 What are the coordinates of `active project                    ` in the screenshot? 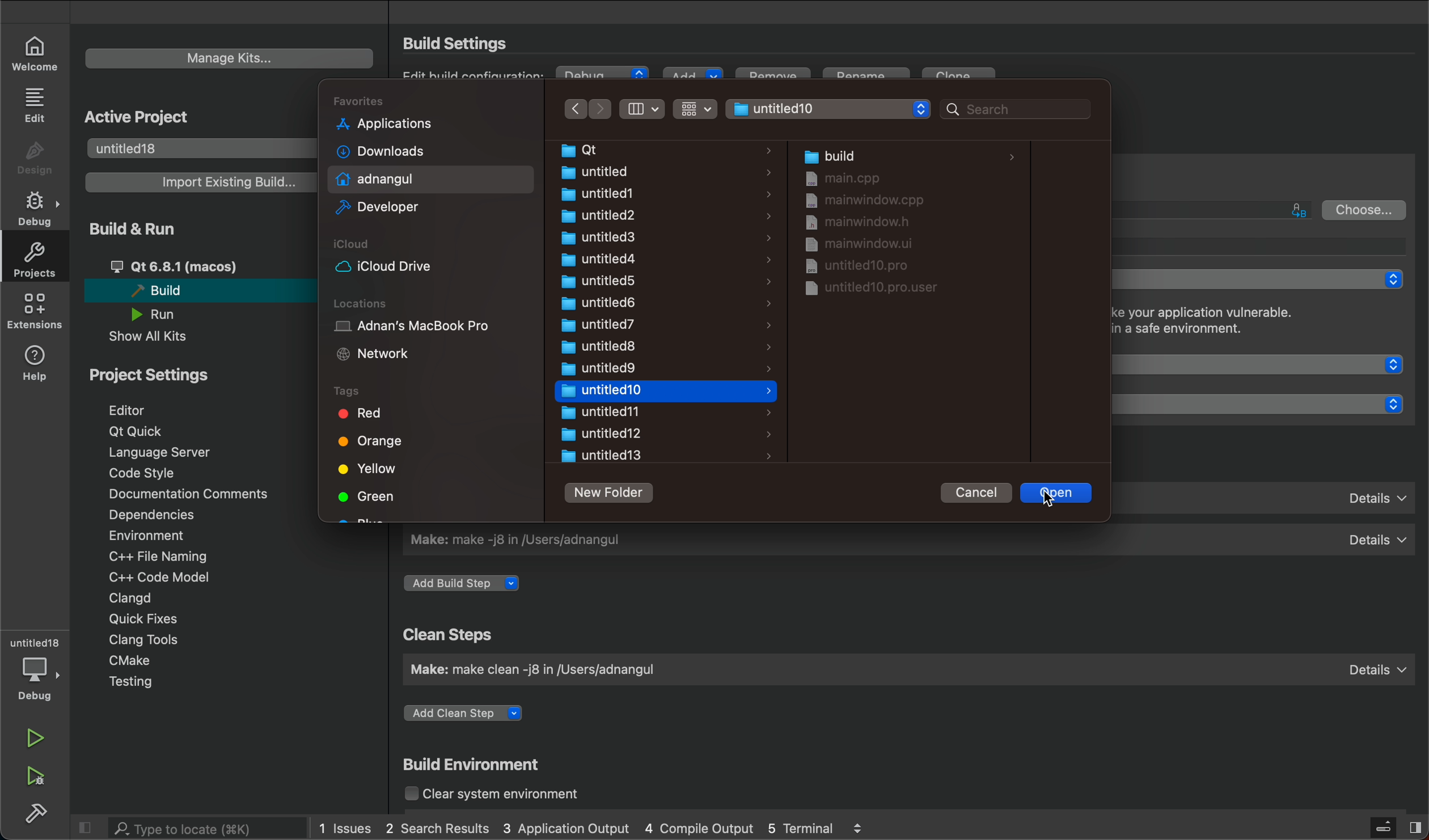 It's located at (152, 116).